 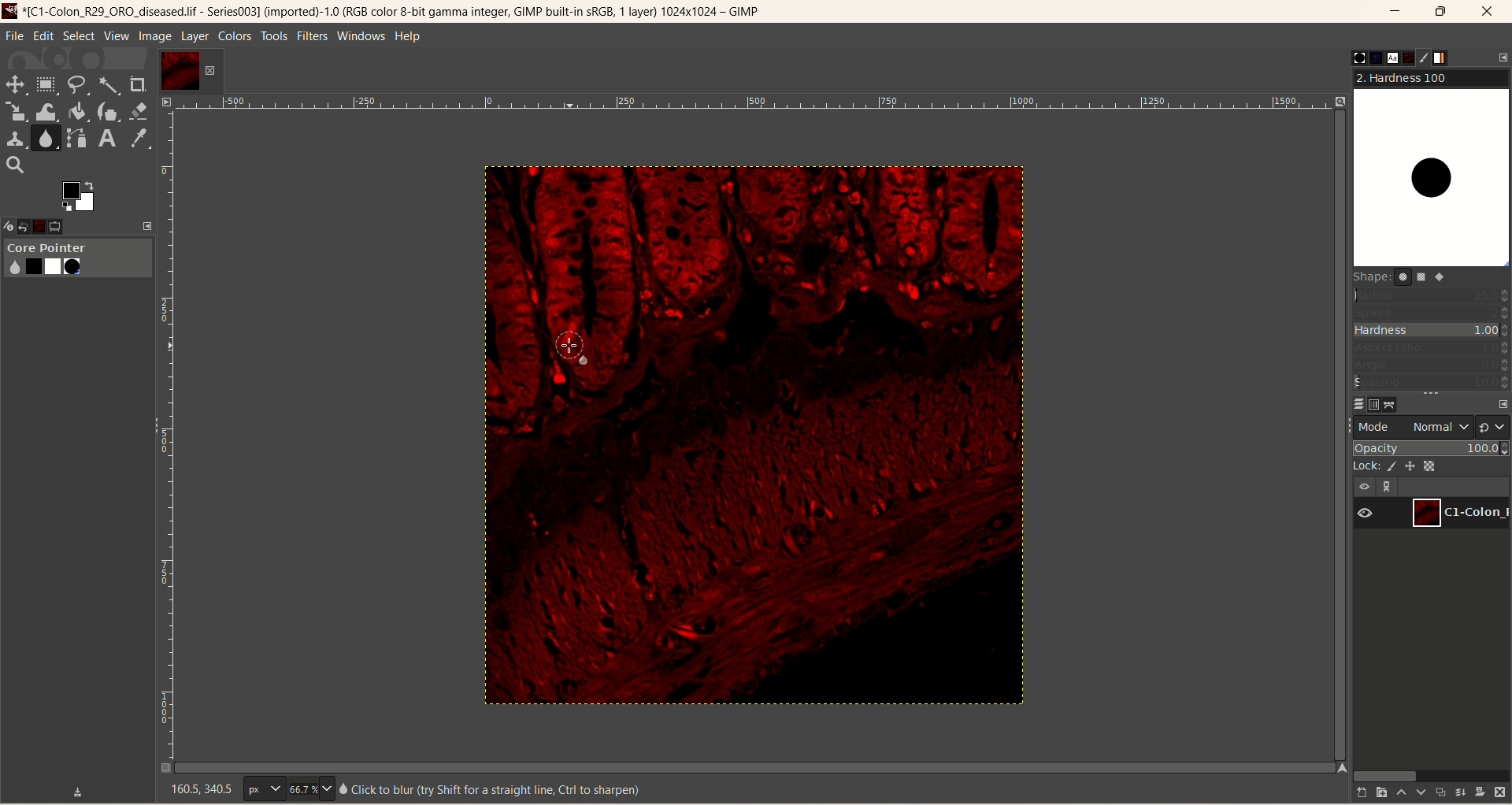 I want to click on cursor, so click(x=571, y=346).